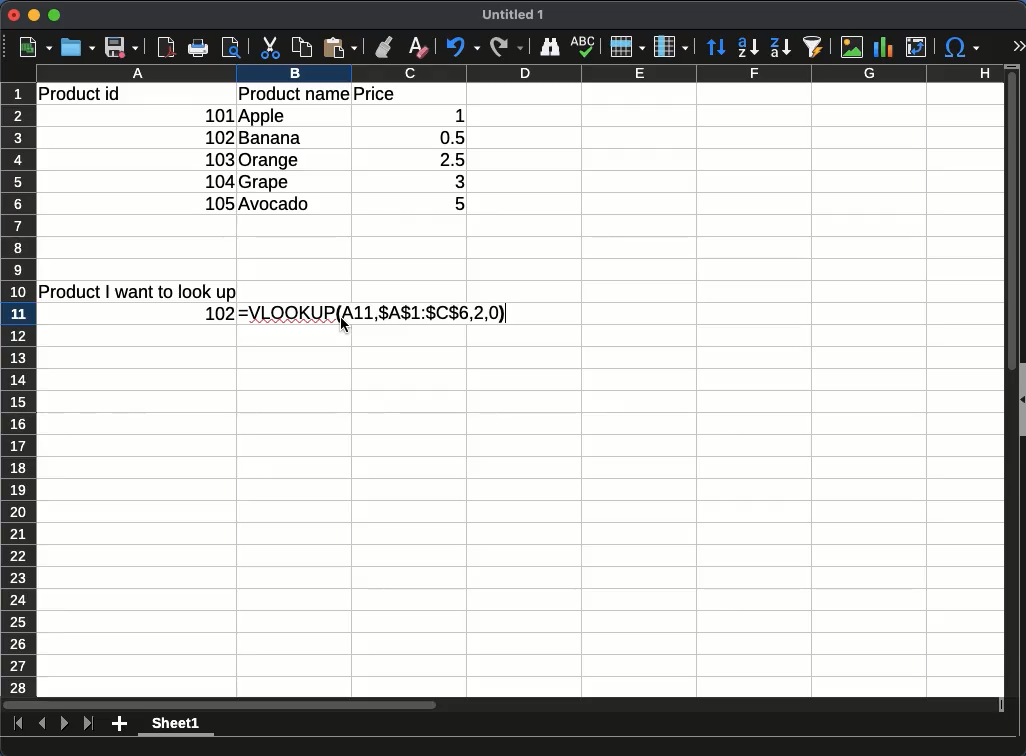  I want to click on descending , so click(781, 48).